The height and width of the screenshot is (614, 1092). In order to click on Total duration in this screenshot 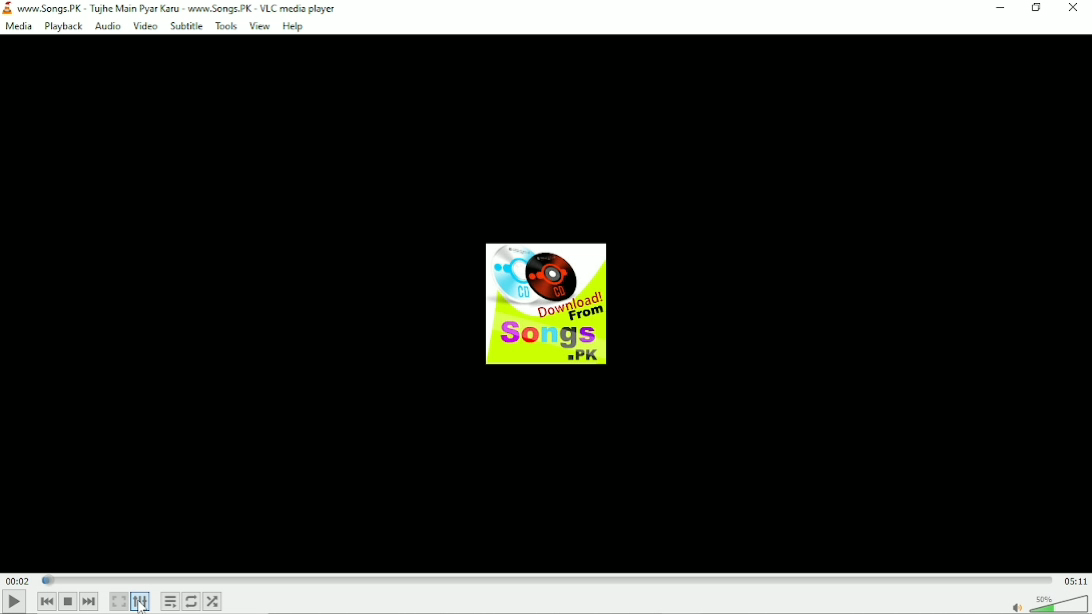, I will do `click(1075, 580)`.